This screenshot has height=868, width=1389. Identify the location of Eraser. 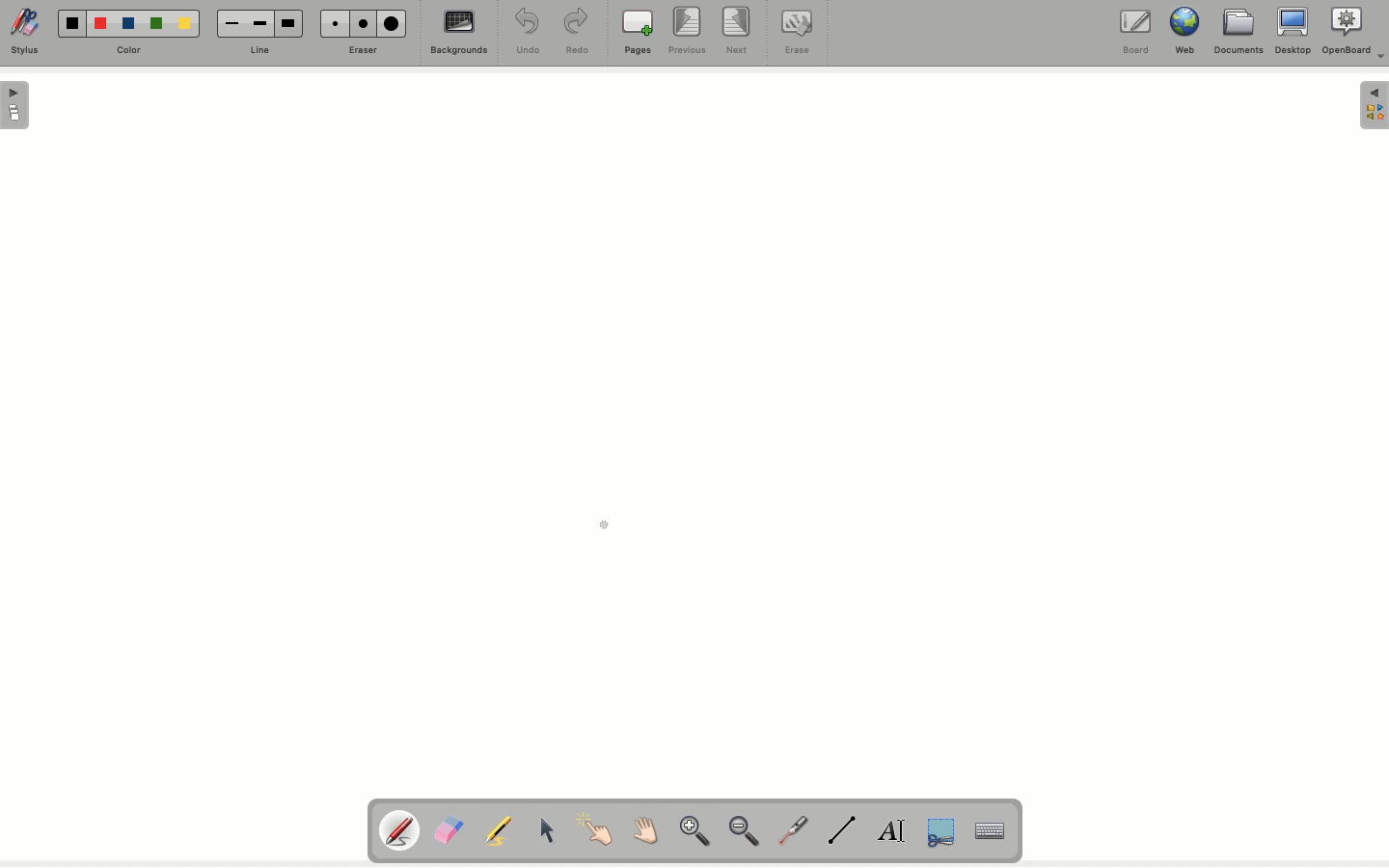
(451, 829).